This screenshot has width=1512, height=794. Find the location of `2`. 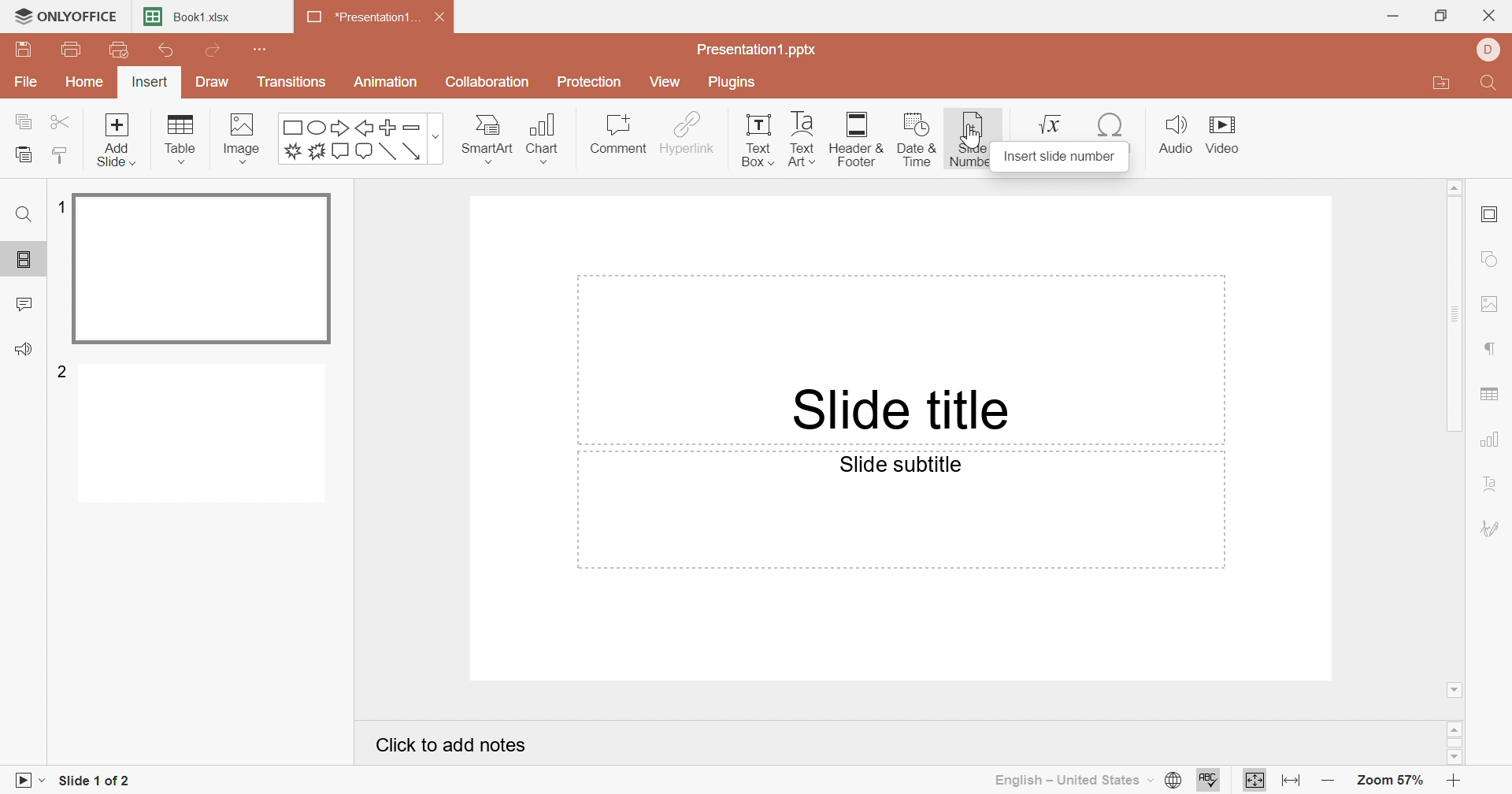

2 is located at coordinates (64, 370).